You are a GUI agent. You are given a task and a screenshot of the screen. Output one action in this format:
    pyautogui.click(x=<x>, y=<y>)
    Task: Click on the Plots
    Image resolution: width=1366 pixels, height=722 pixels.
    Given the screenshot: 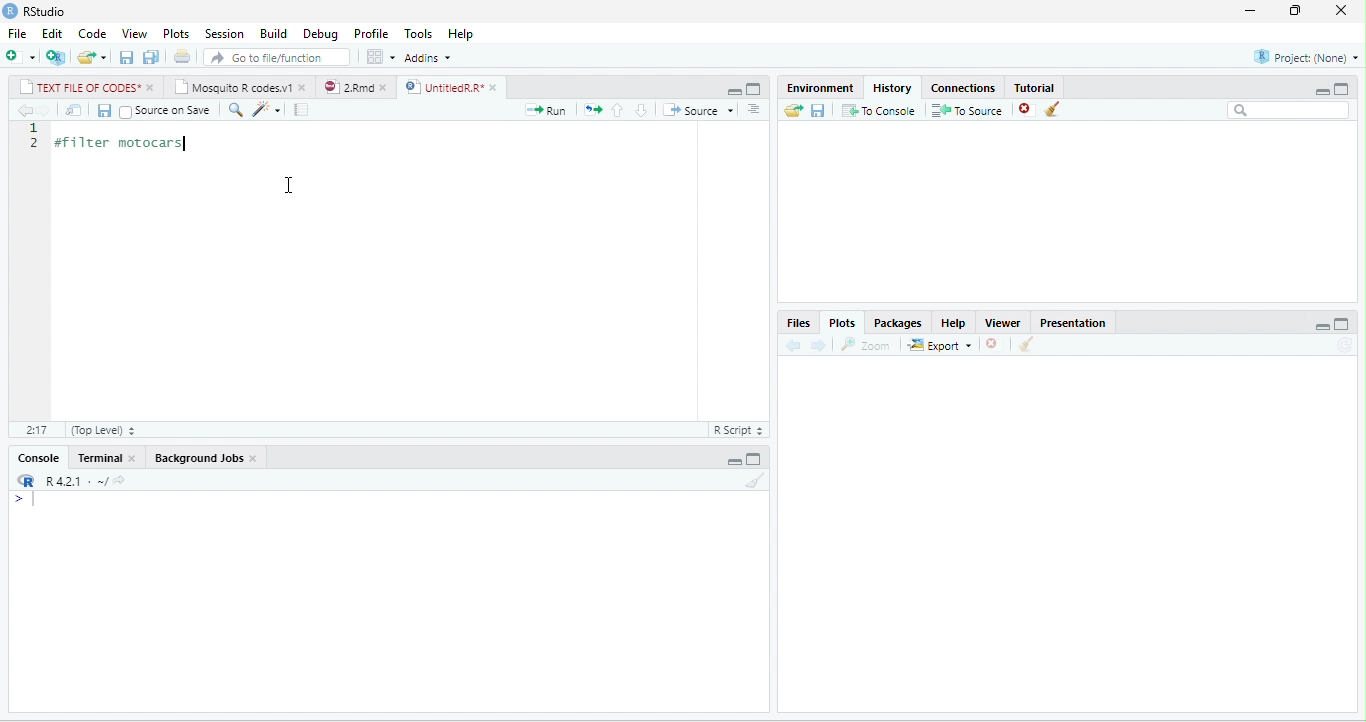 What is the action you would take?
    pyautogui.click(x=843, y=323)
    